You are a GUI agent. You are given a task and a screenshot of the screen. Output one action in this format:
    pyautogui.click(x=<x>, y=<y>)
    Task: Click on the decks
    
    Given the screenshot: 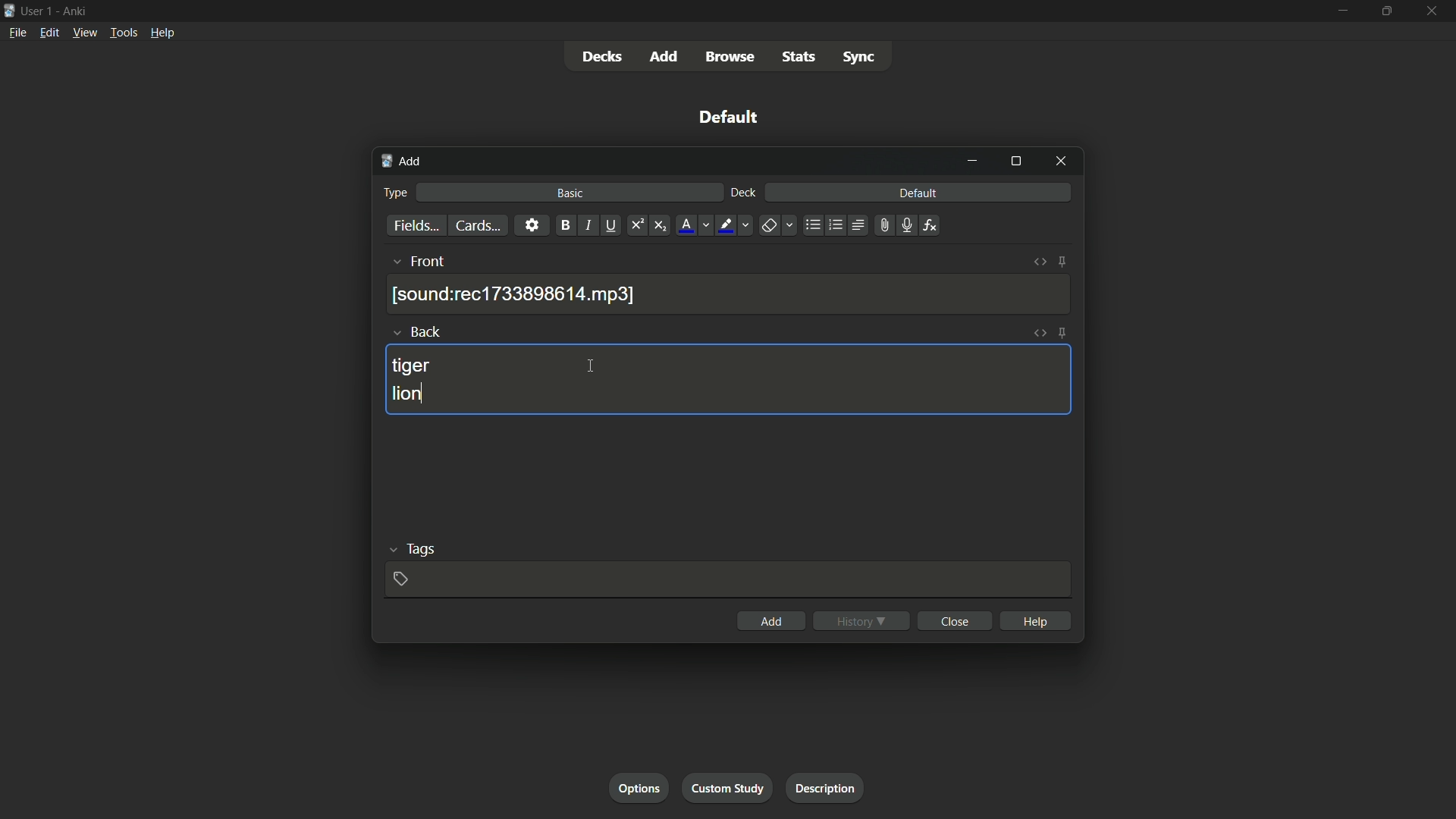 What is the action you would take?
    pyautogui.click(x=602, y=57)
    